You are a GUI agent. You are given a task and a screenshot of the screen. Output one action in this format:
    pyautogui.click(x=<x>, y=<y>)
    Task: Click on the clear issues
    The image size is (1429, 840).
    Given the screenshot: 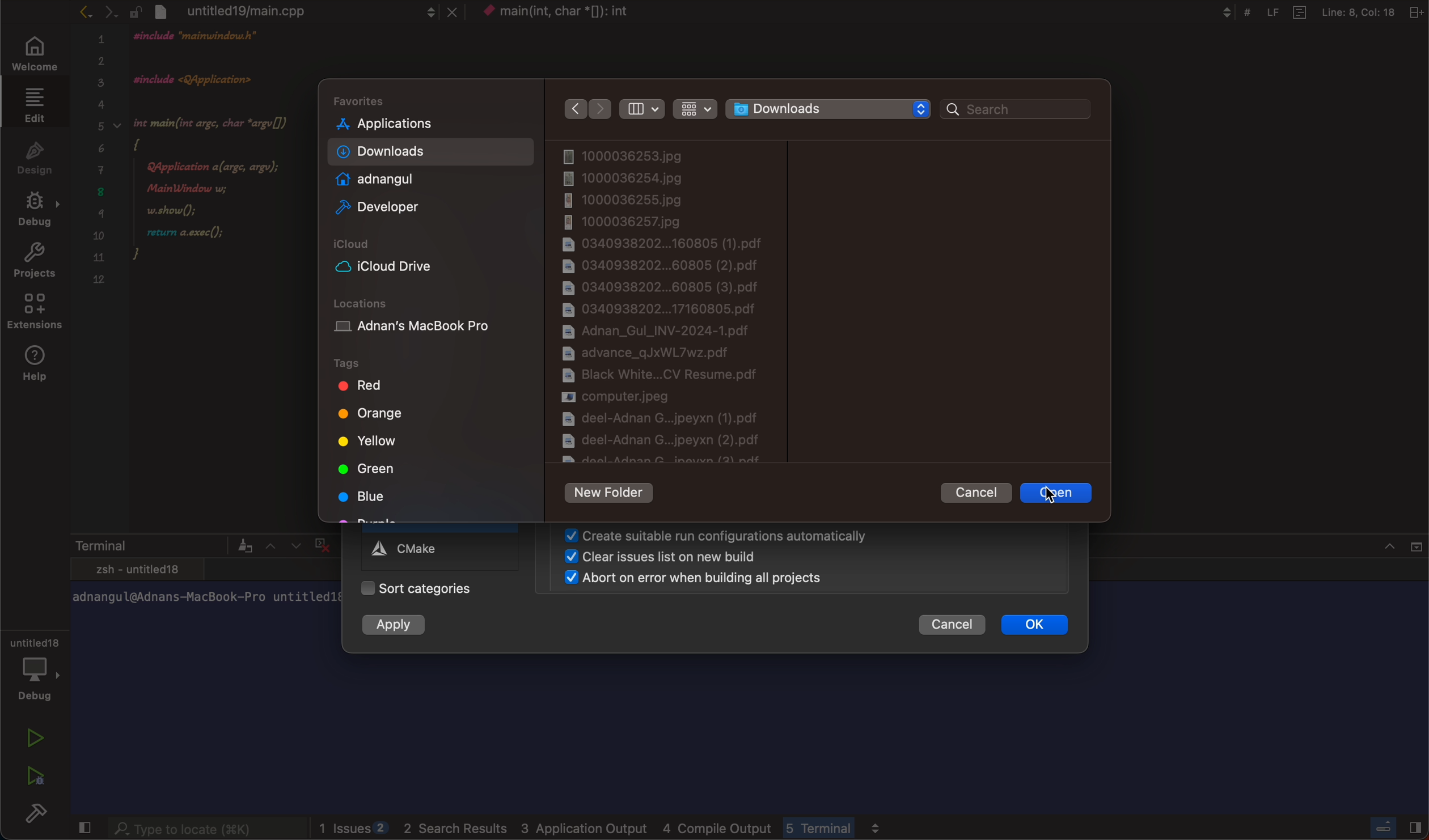 What is the action you would take?
    pyautogui.click(x=659, y=558)
    